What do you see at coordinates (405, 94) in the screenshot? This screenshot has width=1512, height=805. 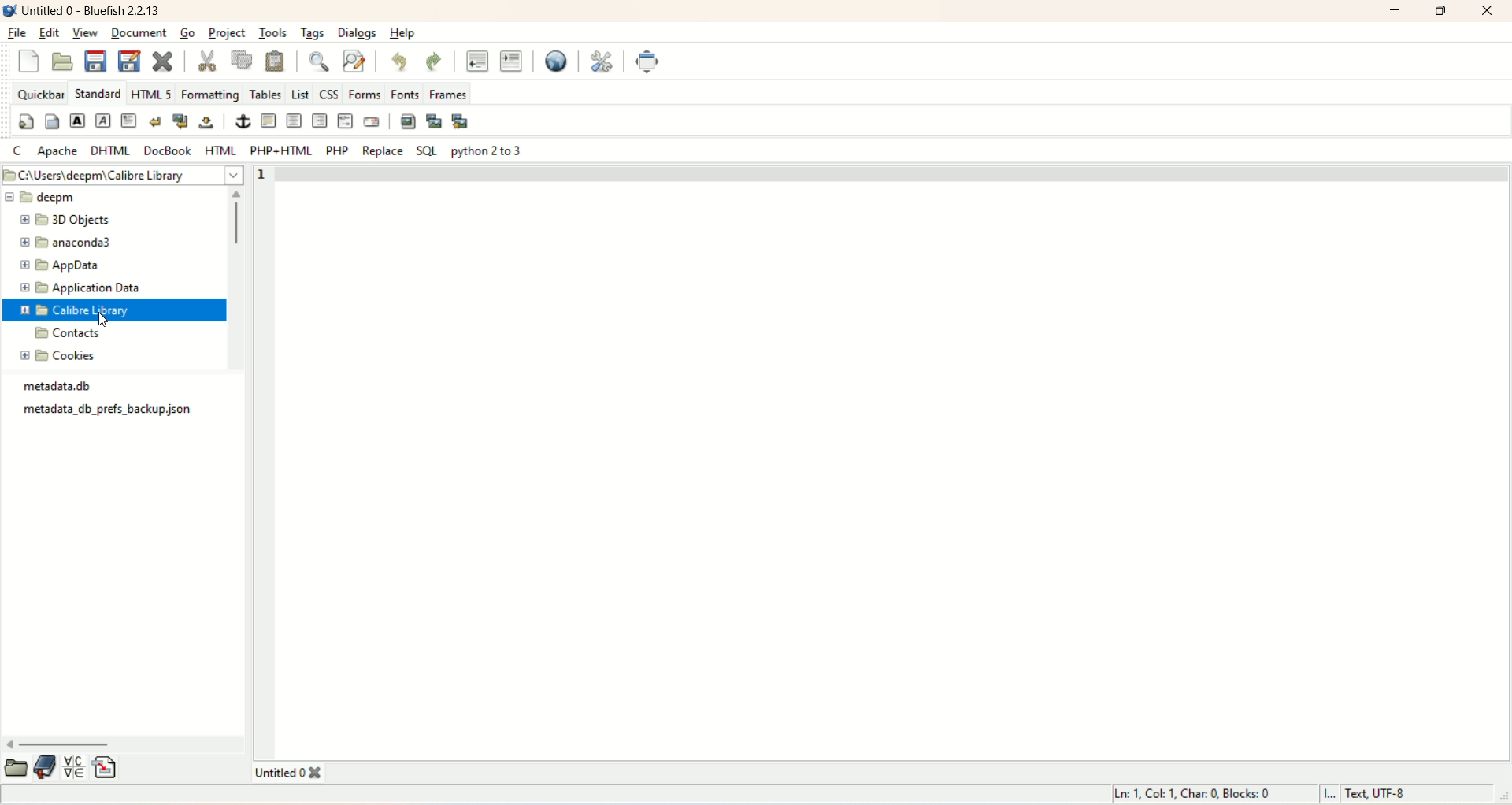 I see `fonts` at bounding box center [405, 94].